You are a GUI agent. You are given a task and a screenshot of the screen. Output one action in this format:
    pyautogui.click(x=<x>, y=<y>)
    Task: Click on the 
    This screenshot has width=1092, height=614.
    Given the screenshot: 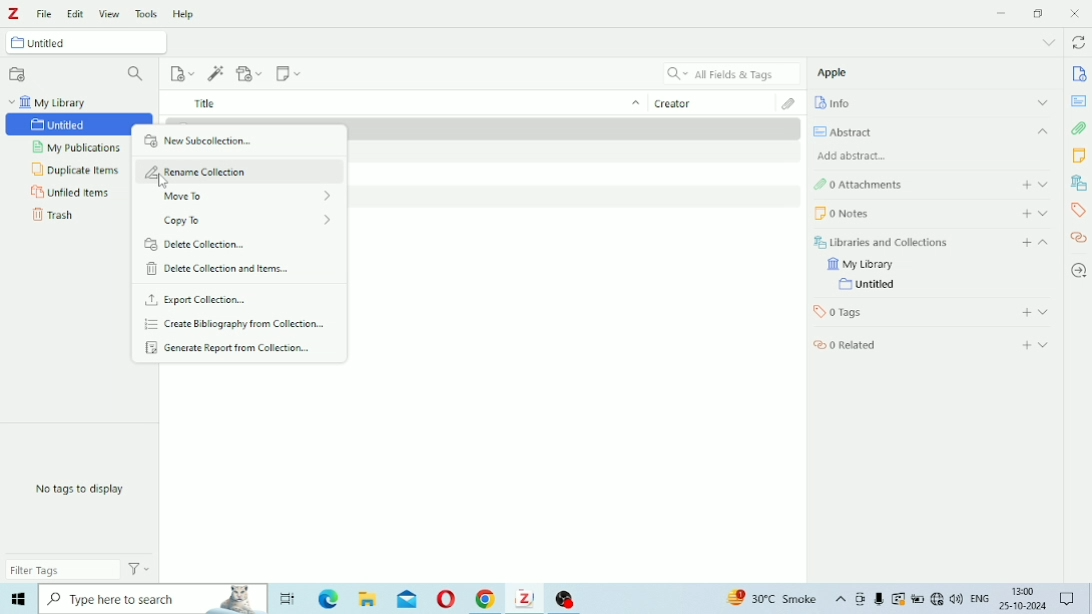 What is the action you would take?
    pyautogui.click(x=286, y=599)
    